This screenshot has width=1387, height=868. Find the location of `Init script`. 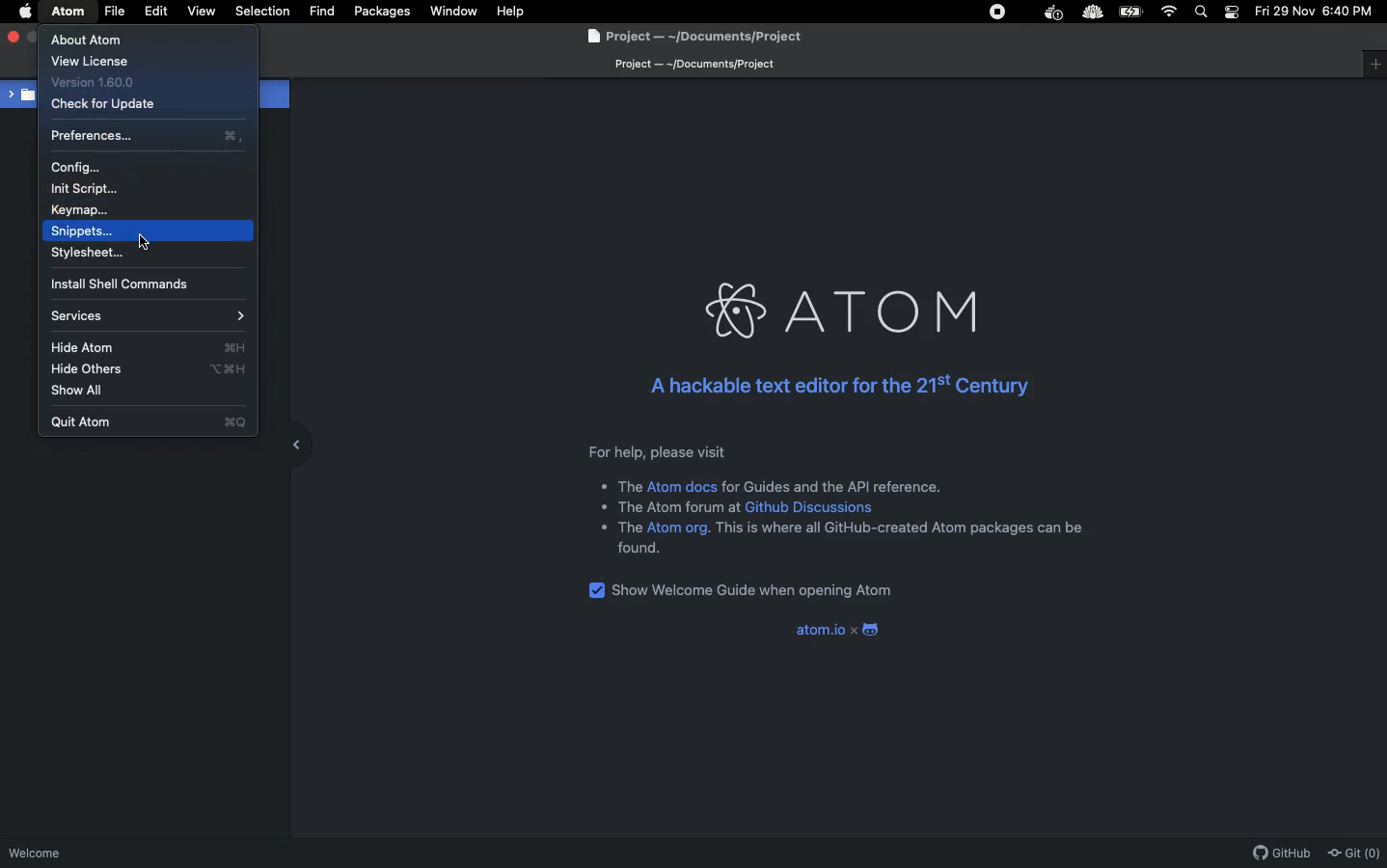

Init script is located at coordinates (90, 191).